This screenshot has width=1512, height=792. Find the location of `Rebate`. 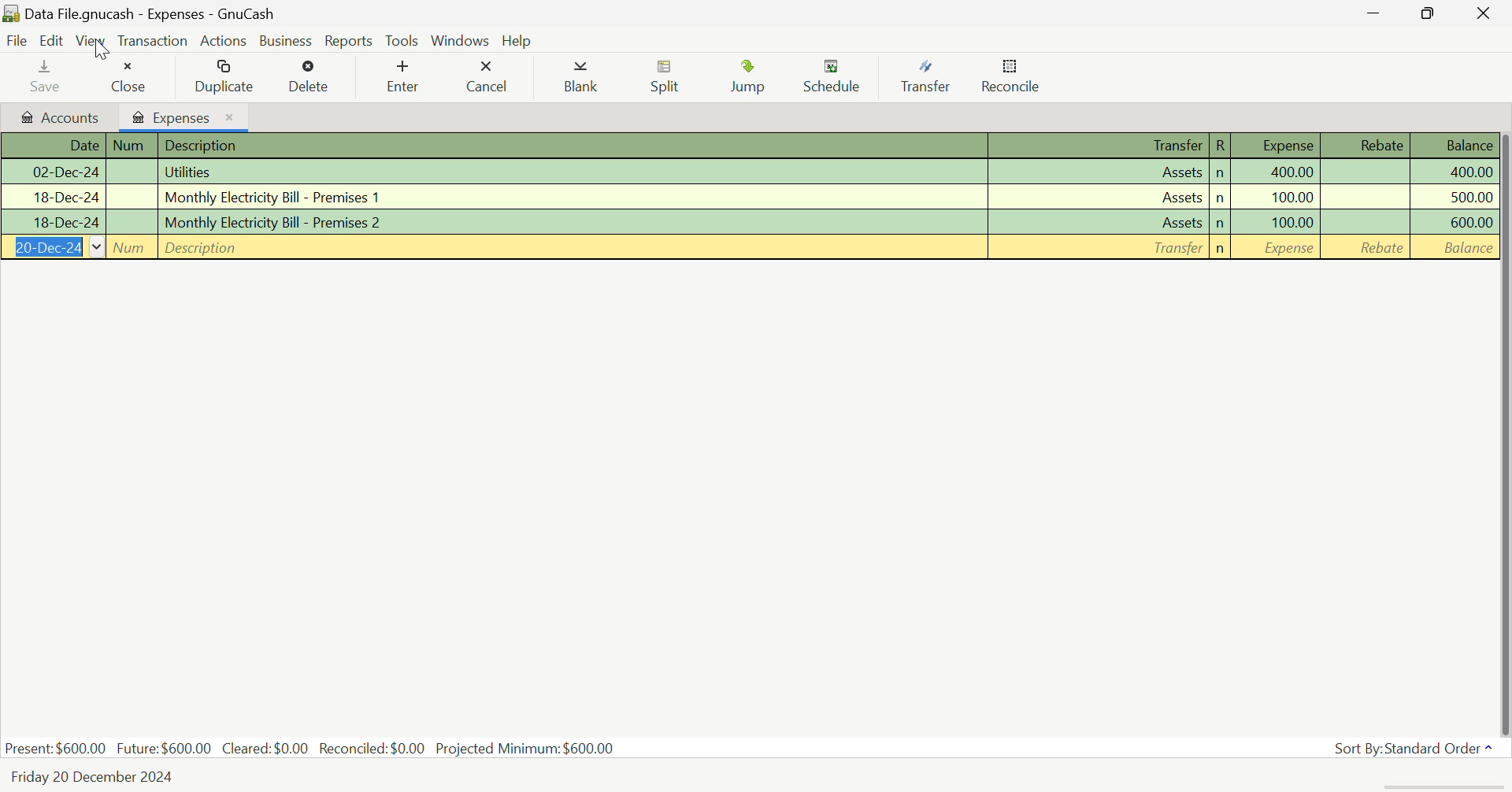

Rebate is located at coordinates (1366, 247).